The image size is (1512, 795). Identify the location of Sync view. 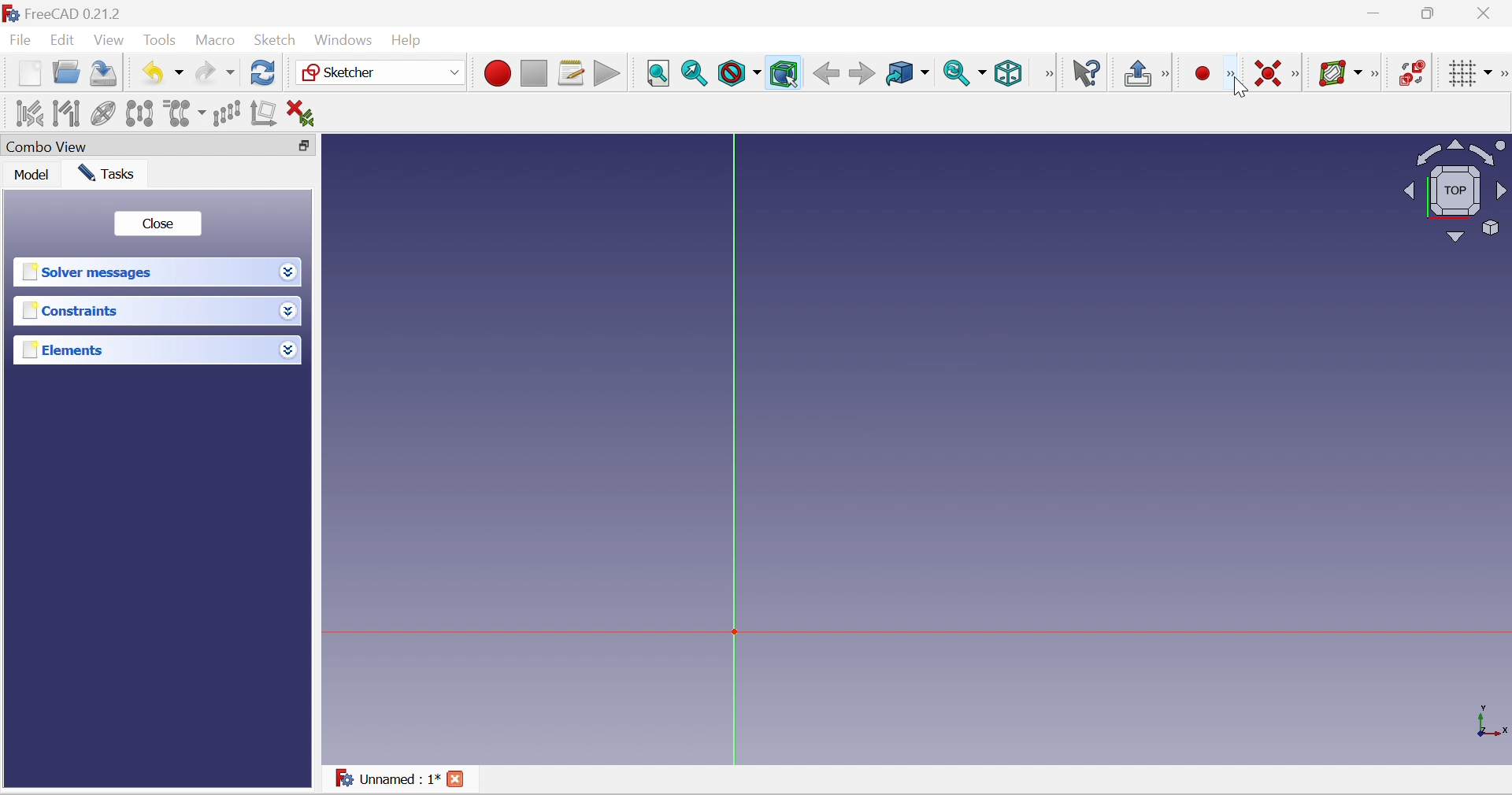
(966, 74).